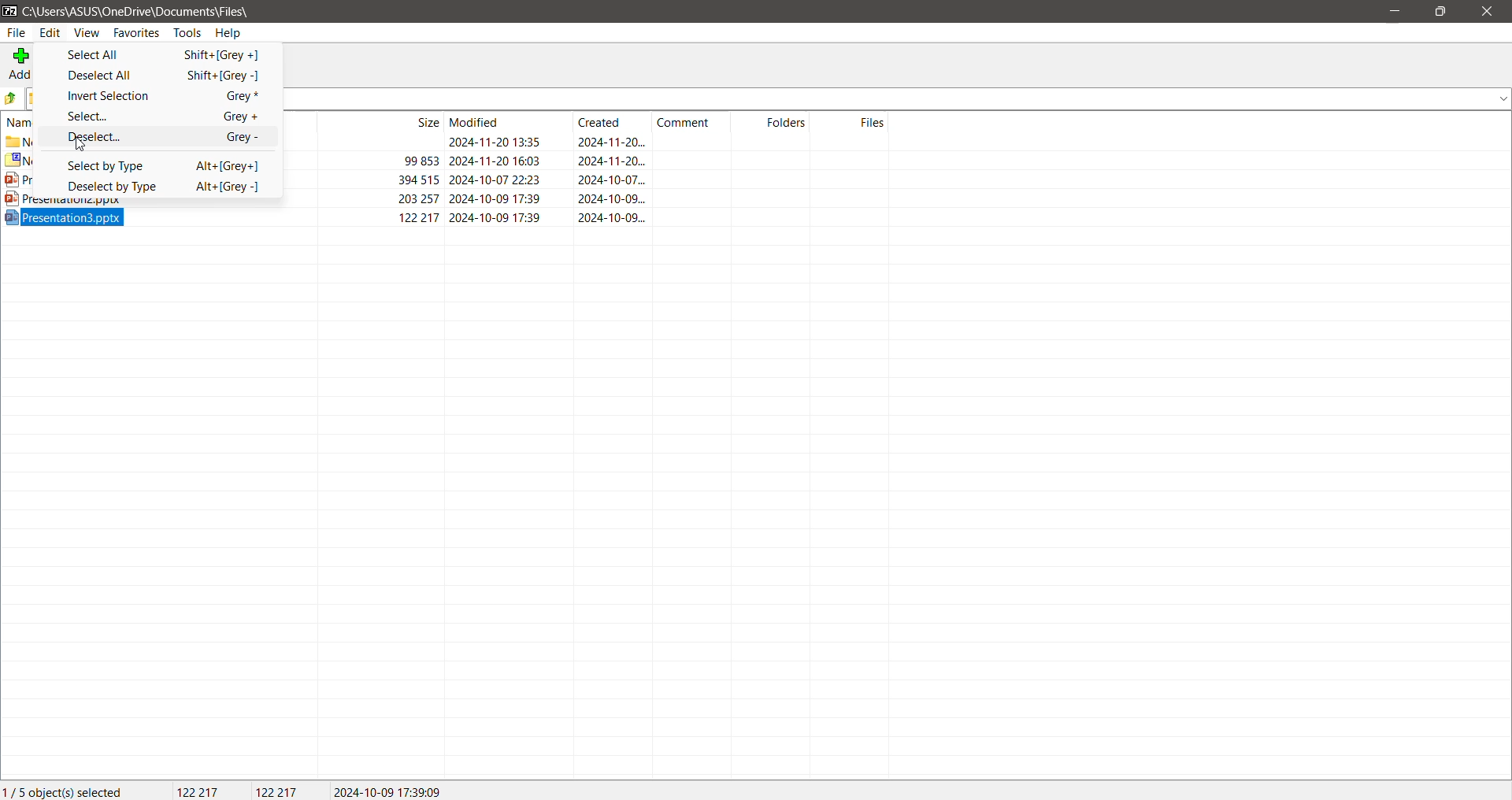  Describe the element at coordinates (135, 34) in the screenshot. I see `Favorites` at that location.